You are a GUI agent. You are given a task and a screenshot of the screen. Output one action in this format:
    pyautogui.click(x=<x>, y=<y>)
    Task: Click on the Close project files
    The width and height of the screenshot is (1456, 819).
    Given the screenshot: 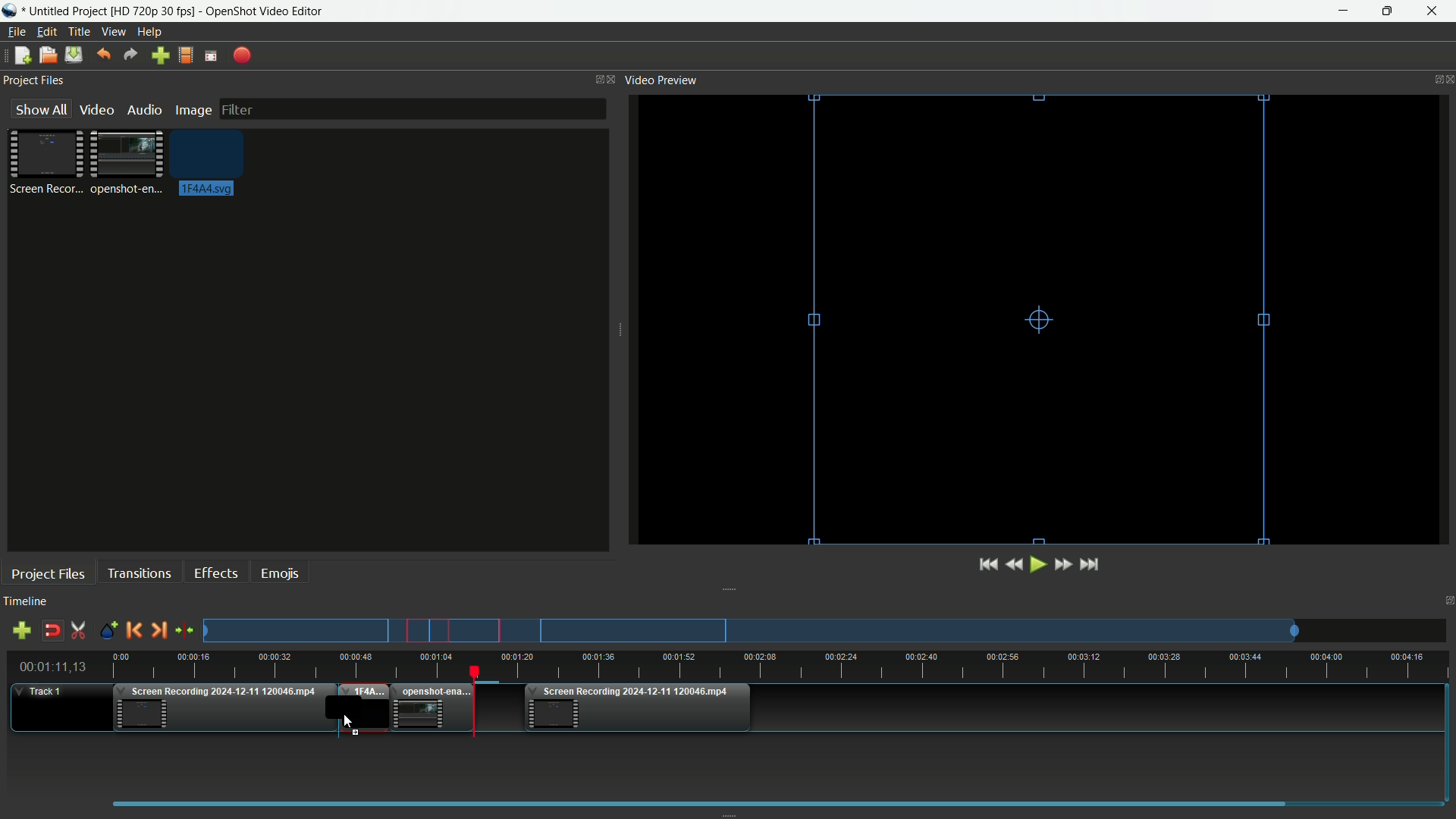 What is the action you would take?
    pyautogui.click(x=613, y=79)
    